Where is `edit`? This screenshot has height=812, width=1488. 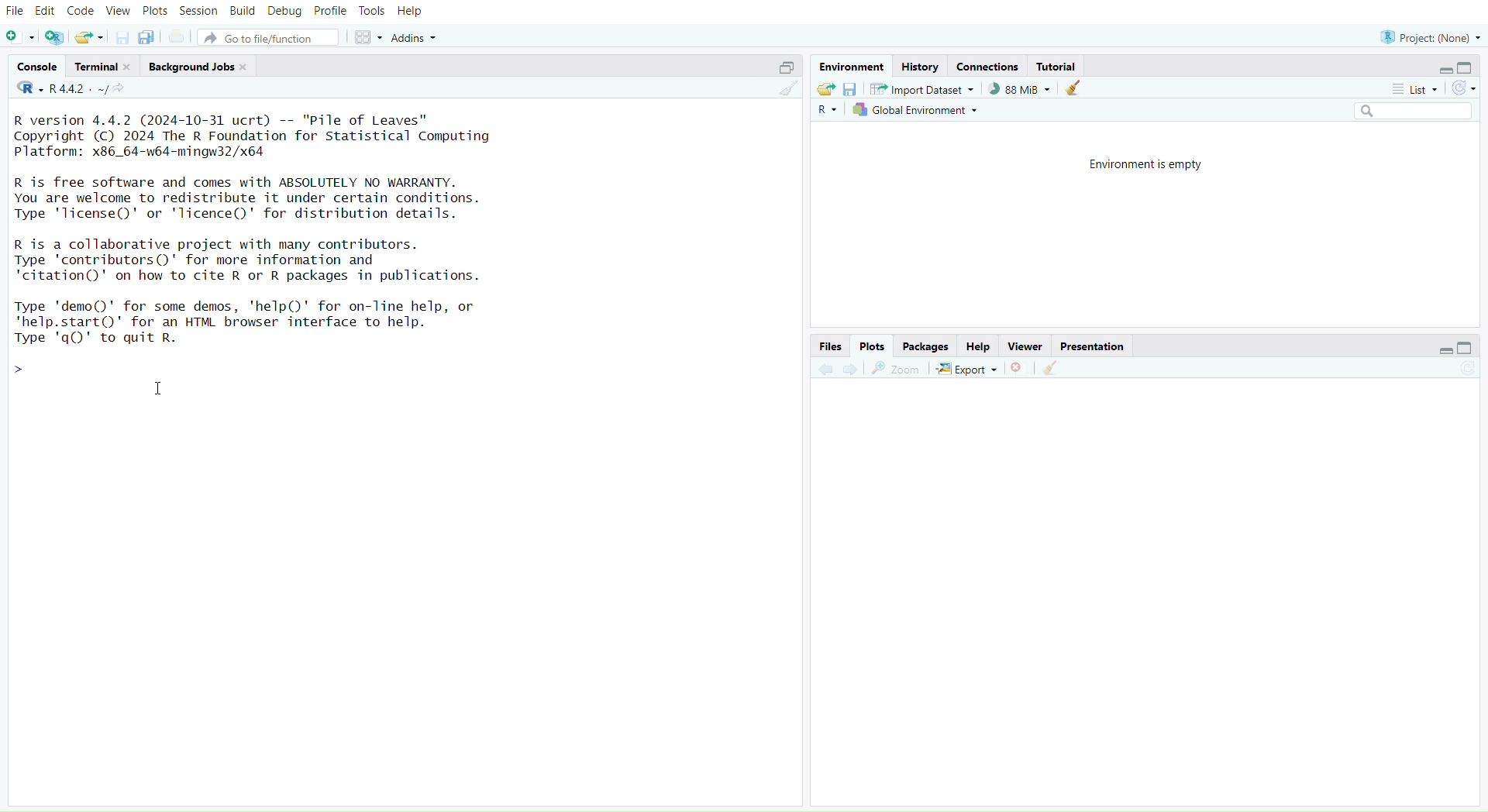 edit is located at coordinates (48, 12).